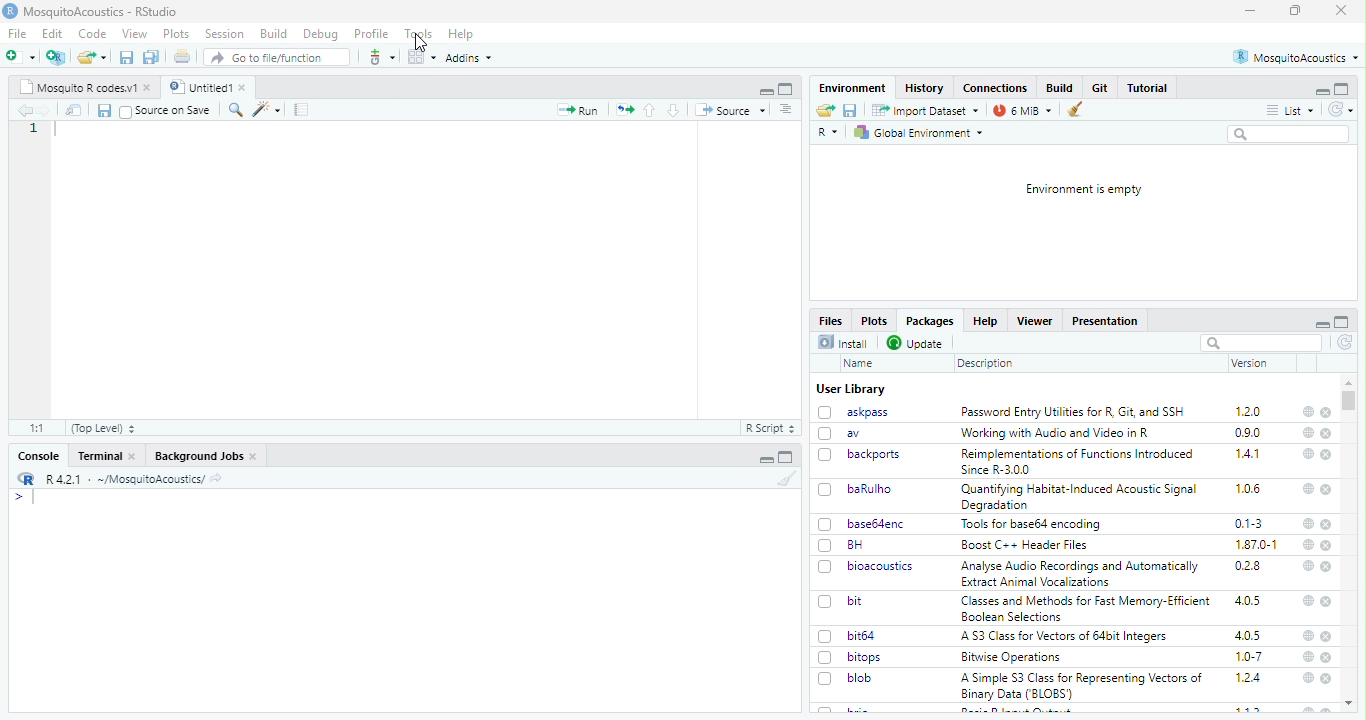 The width and height of the screenshot is (1366, 720). What do you see at coordinates (1257, 545) in the screenshot?
I see `1870-1` at bounding box center [1257, 545].